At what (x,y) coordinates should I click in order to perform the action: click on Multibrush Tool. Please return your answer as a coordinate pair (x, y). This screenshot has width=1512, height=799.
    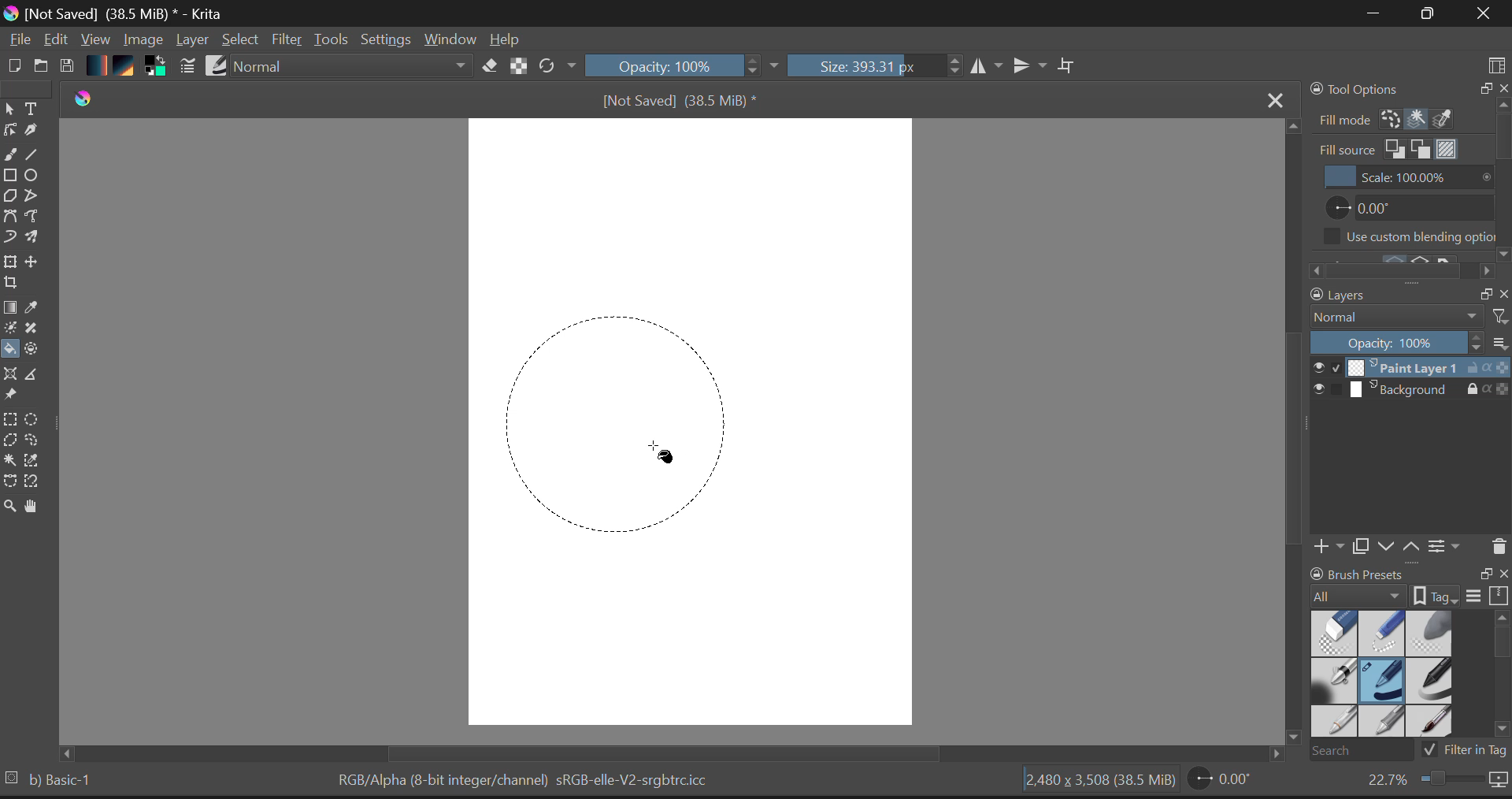
    Looking at the image, I should click on (37, 238).